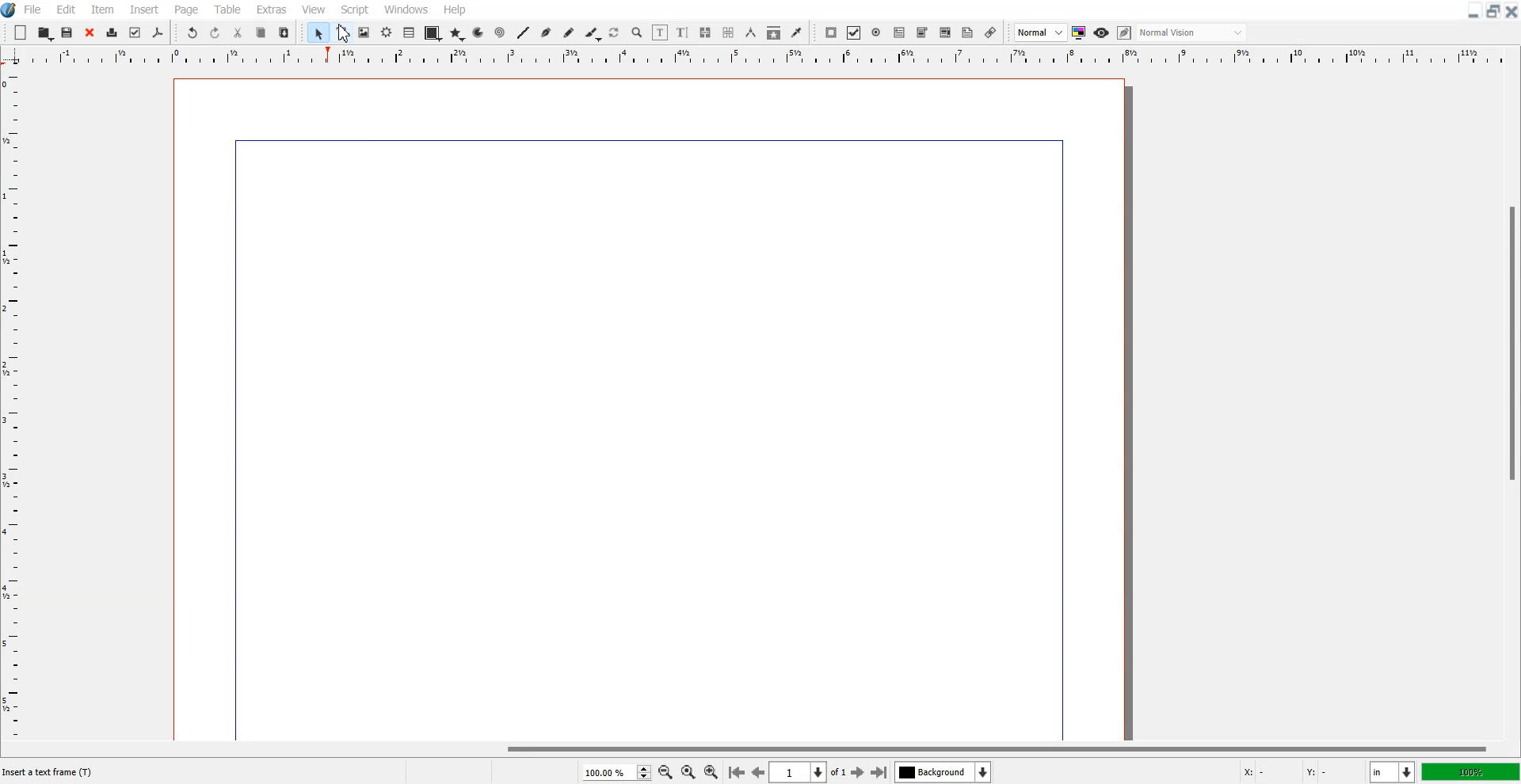 The image size is (1521, 784). What do you see at coordinates (990, 32) in the screenshot?
I see `Link Annotation` at bounding box center [990, 32].